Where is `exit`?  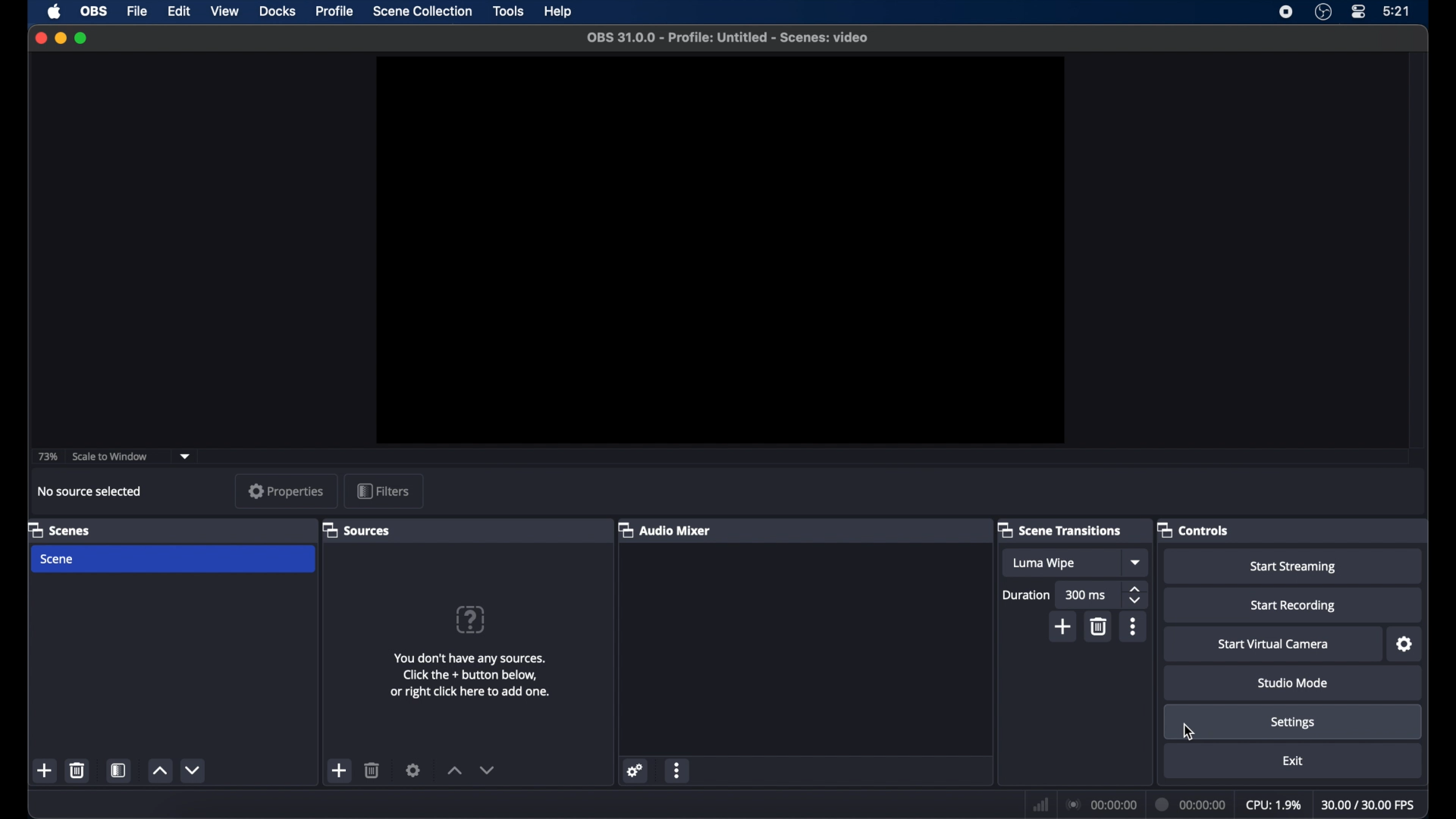 exit is located at coordinates (1292, 761).